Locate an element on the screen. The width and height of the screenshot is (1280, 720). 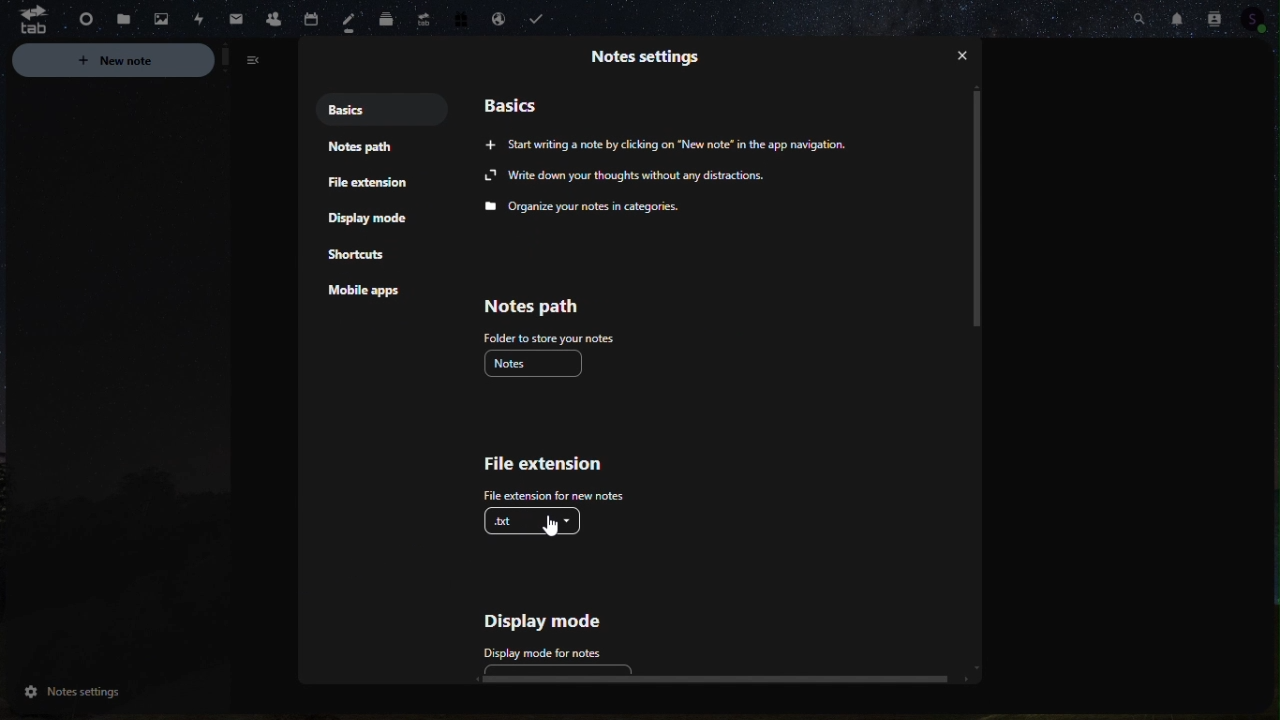
Notes is located at coordinates (346, 19).